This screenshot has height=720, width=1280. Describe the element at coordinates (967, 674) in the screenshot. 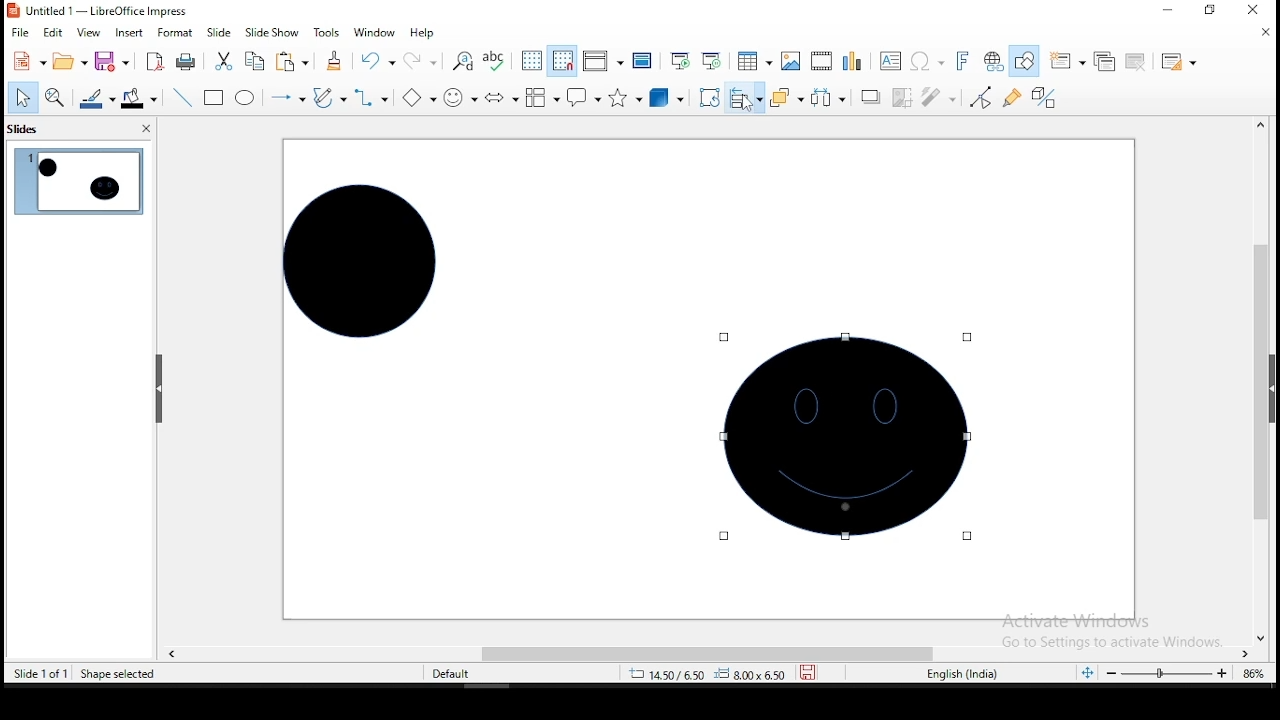

I see `english (india)` at that location.